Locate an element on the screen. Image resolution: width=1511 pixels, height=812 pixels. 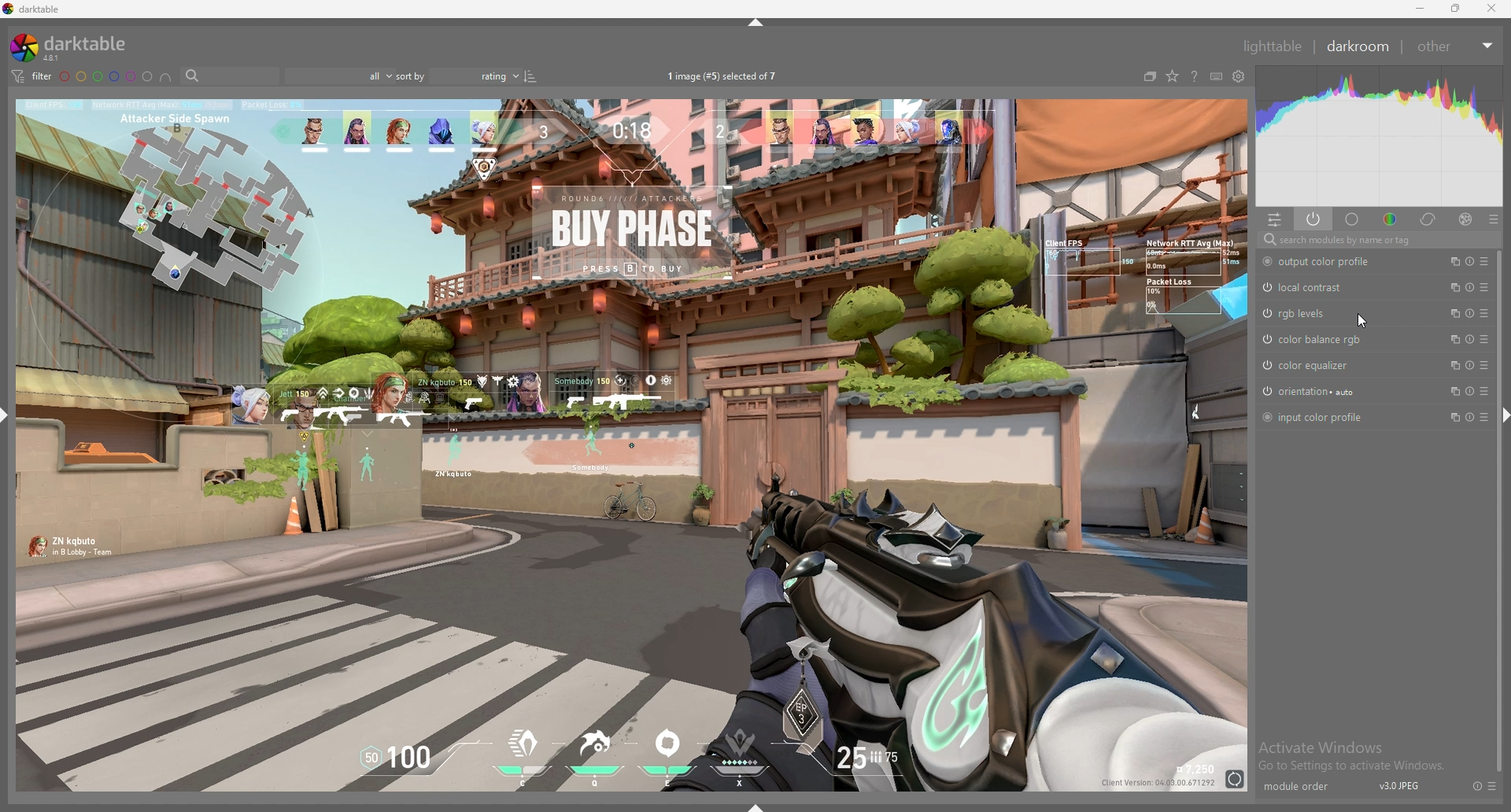
reset is located at coordinates (1472, 785).